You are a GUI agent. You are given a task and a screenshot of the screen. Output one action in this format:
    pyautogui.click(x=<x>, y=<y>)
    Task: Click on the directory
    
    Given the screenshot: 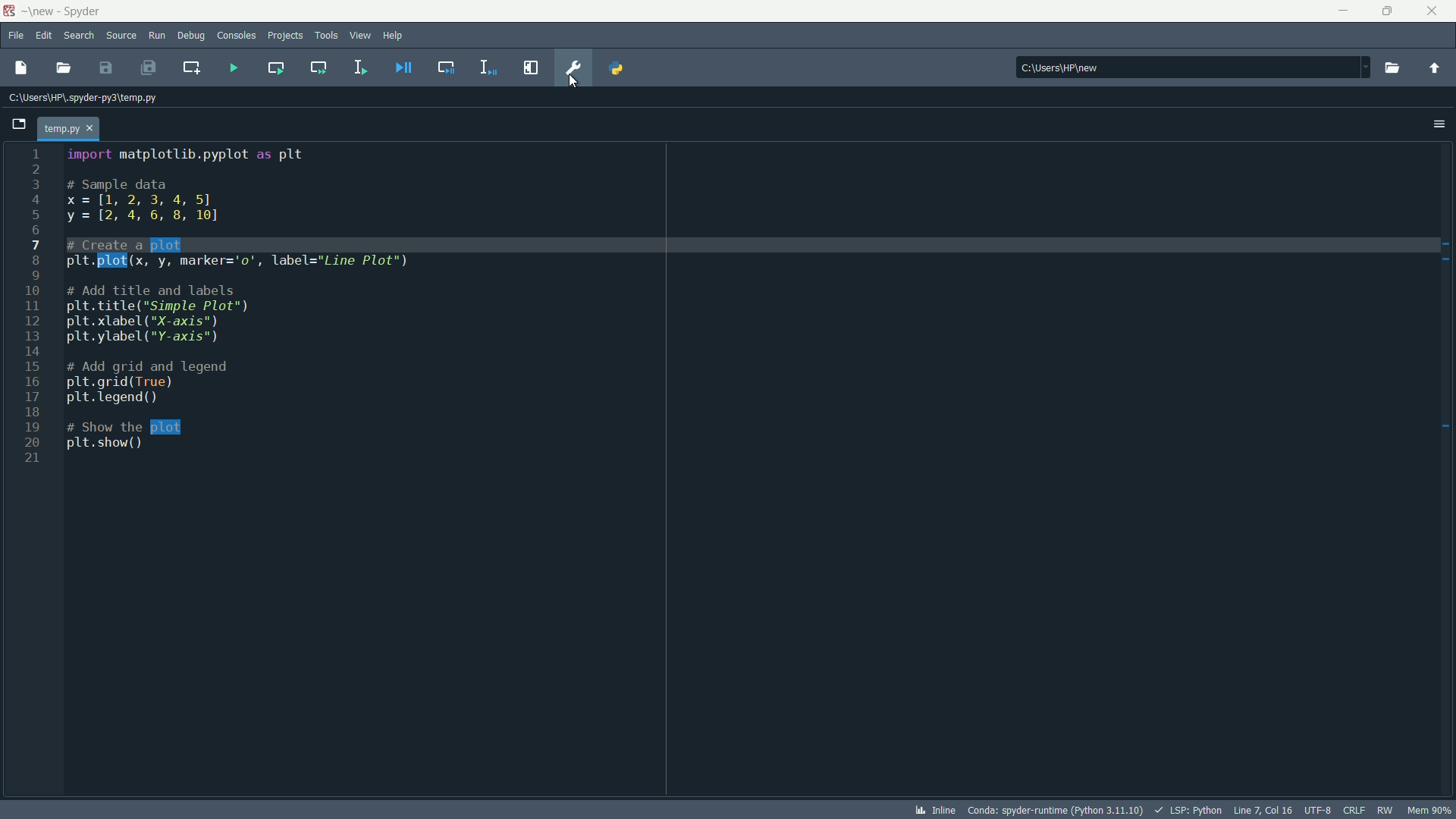 What is the action you would take?
    pyautogui.click(x=1193, y=67)
    